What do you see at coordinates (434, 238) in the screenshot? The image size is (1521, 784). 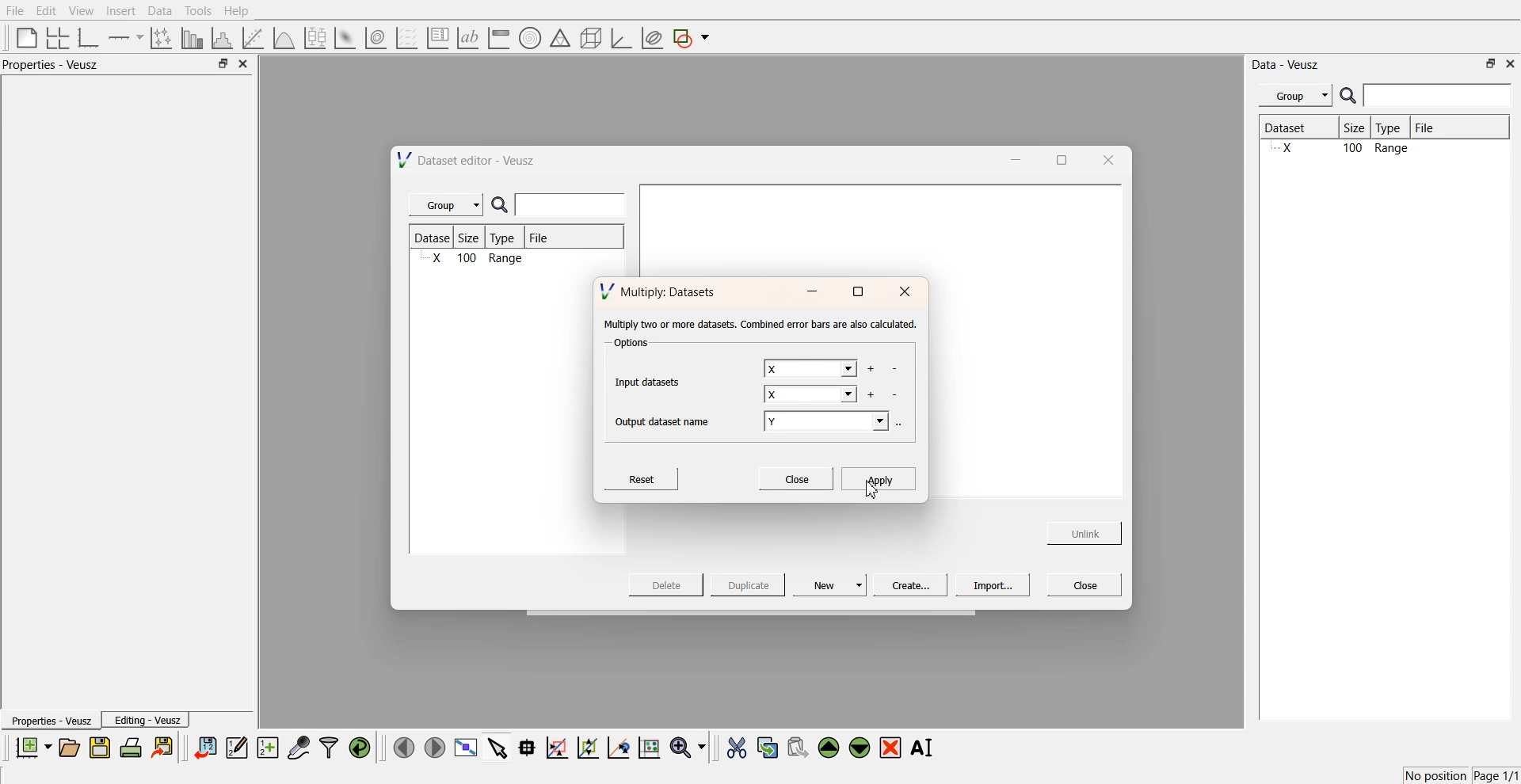 I see `Dataset` at bounding box center [434, 238].